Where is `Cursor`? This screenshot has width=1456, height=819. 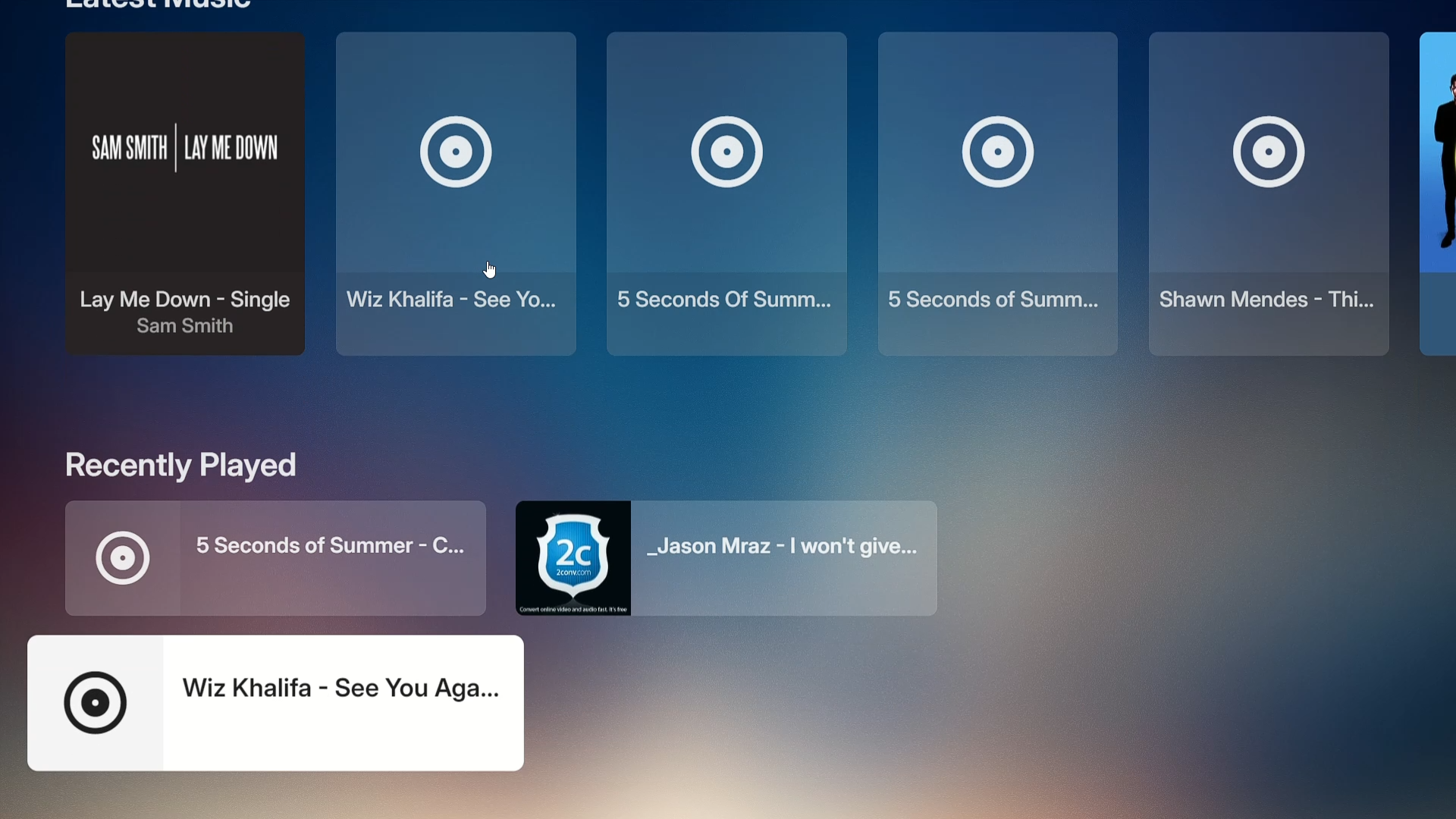
Cursor is located at coordinates (494, 268).